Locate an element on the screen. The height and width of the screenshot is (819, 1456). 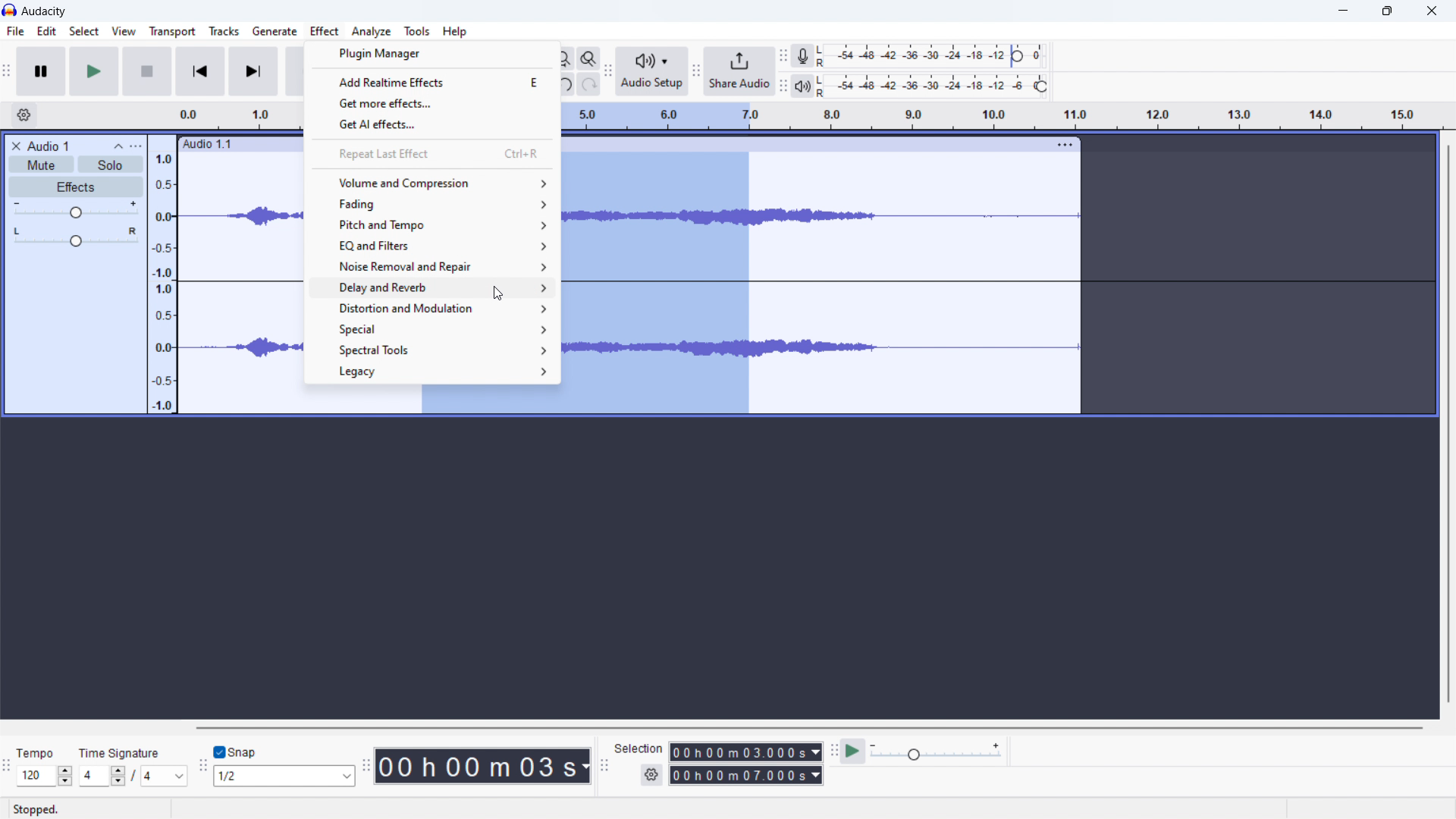
help is located at coordinates (453, 32).